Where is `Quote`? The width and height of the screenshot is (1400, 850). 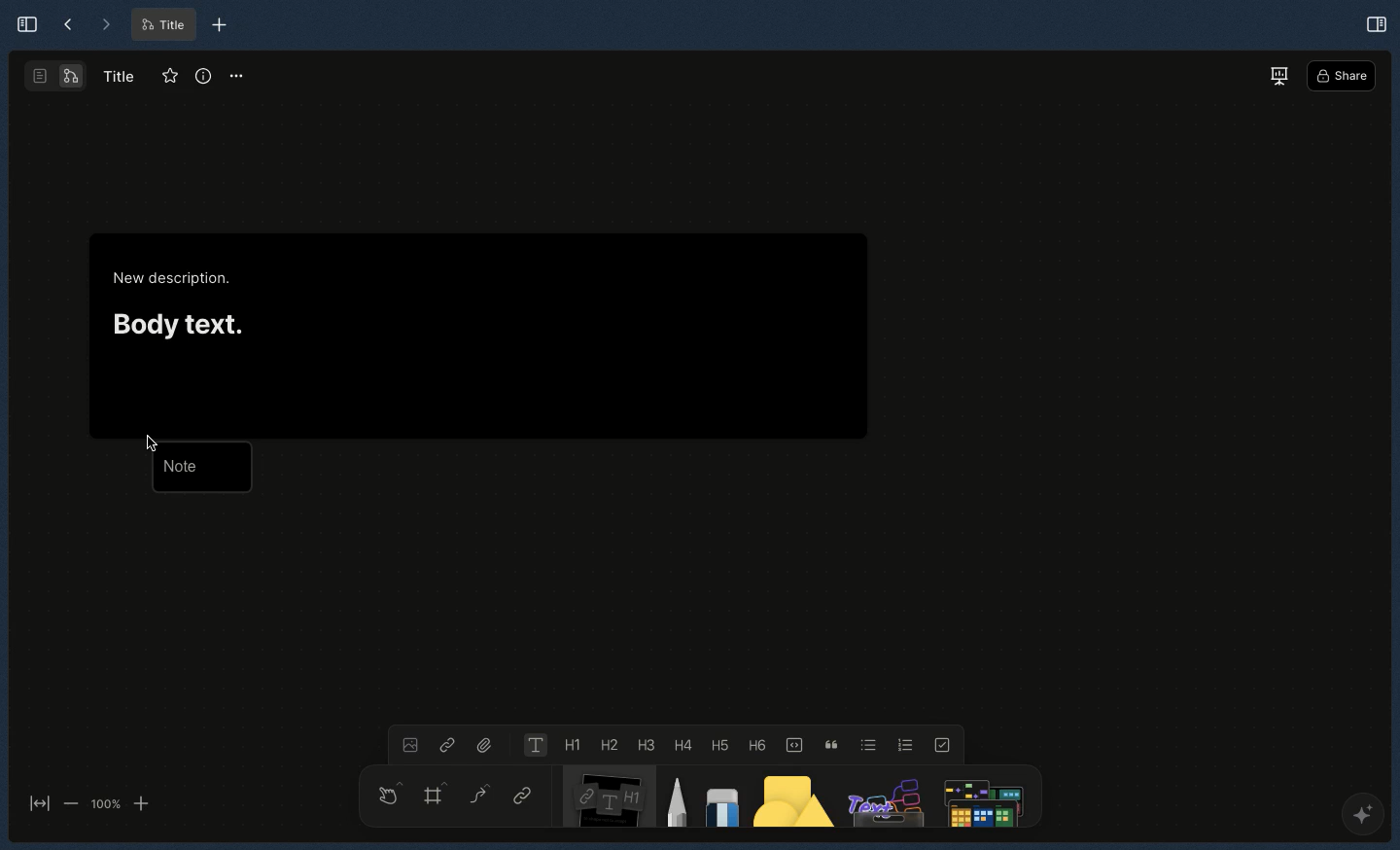 Quote is located at coordinates (828, 743).